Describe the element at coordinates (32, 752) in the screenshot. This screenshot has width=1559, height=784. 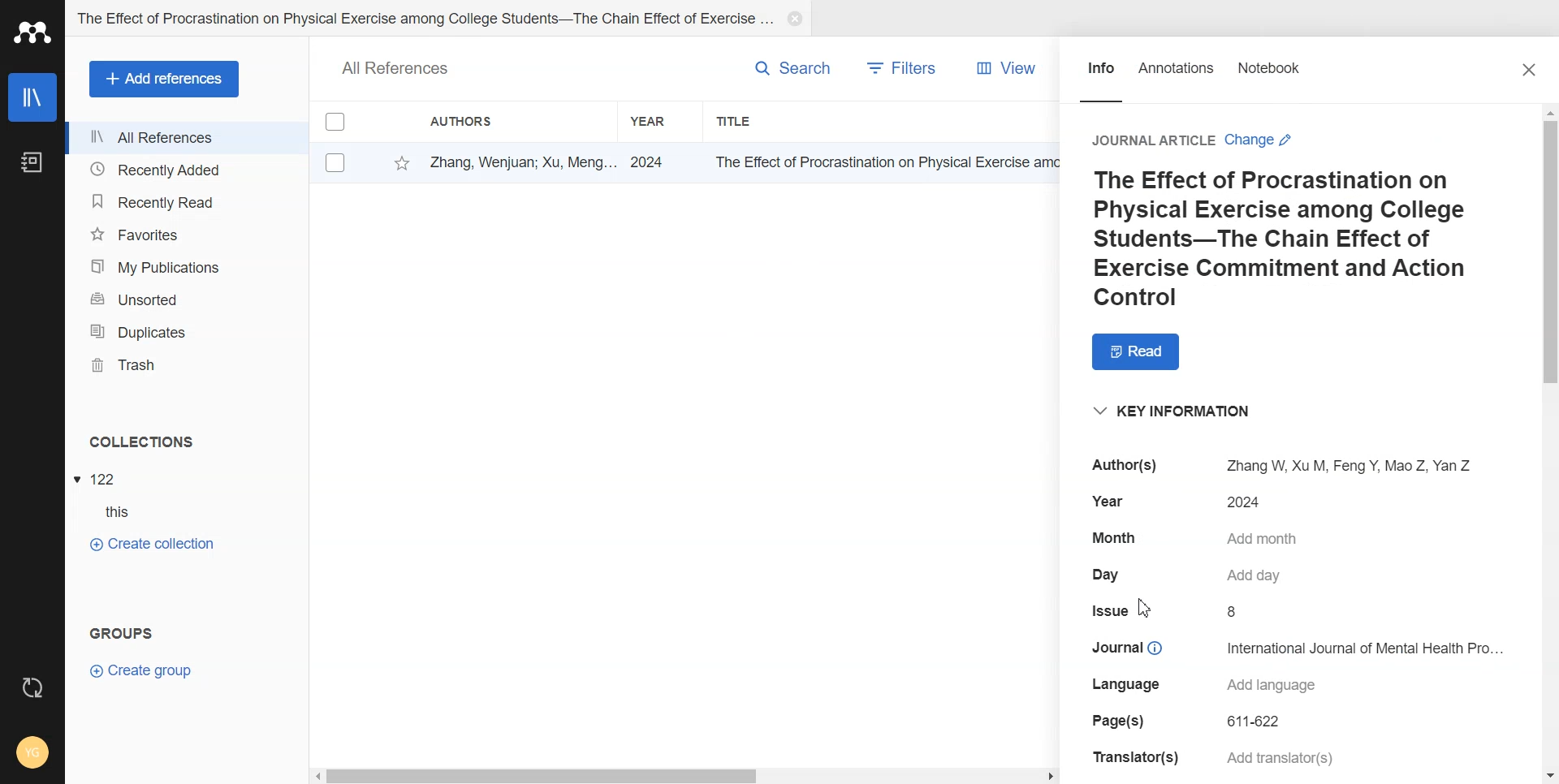
I see `Account` at that location.